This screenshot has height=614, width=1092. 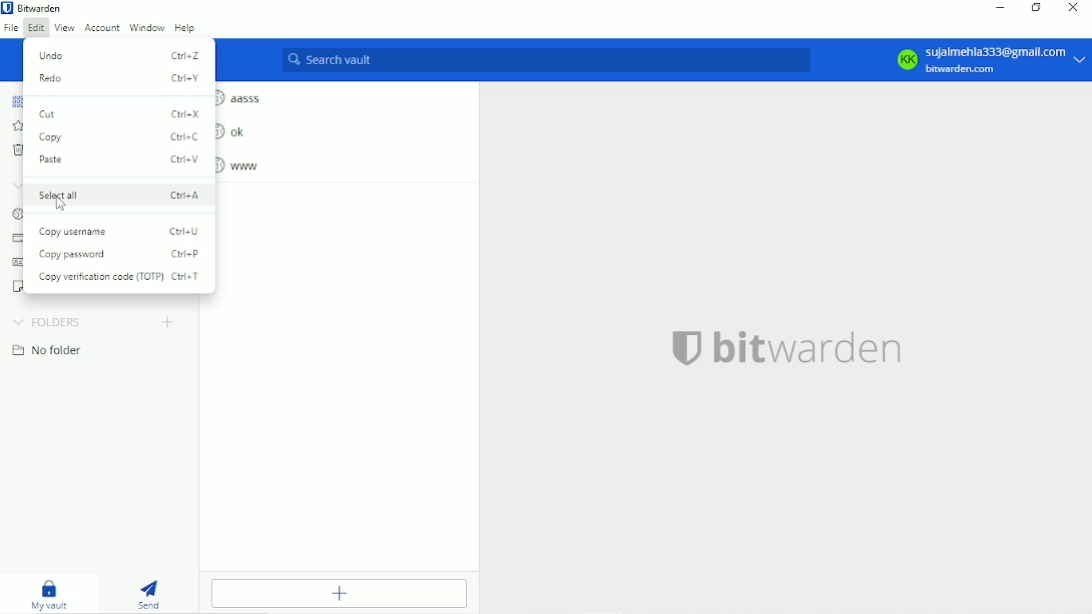 What do you see at coordinates (186, 27) in the screenshot?
I see `Help` at bounding box center [186, 27].